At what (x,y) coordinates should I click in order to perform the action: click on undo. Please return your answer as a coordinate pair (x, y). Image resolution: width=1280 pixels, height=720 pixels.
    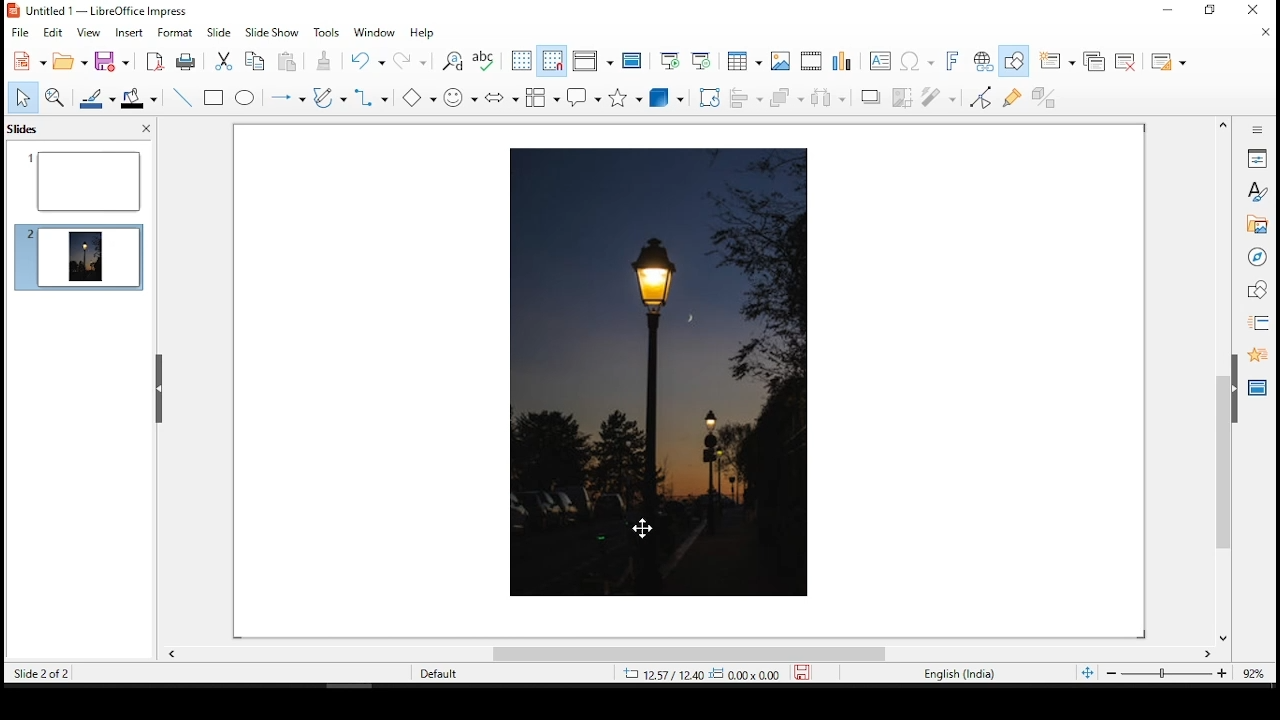
    Looking at the image, I should click on (367, 61).